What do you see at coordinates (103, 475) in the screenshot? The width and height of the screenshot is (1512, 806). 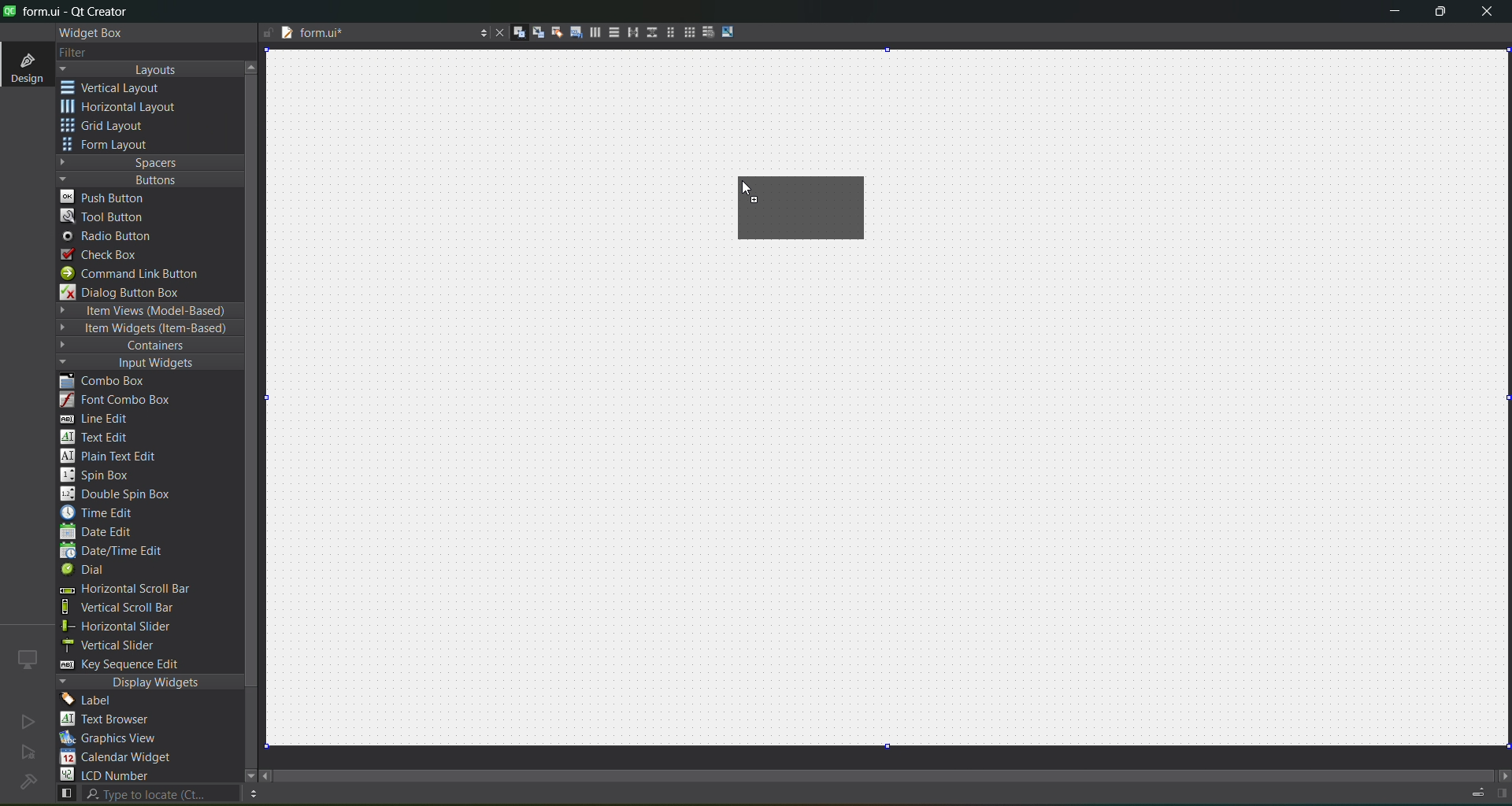 I see `spin box` at bounding box center [103, 475].